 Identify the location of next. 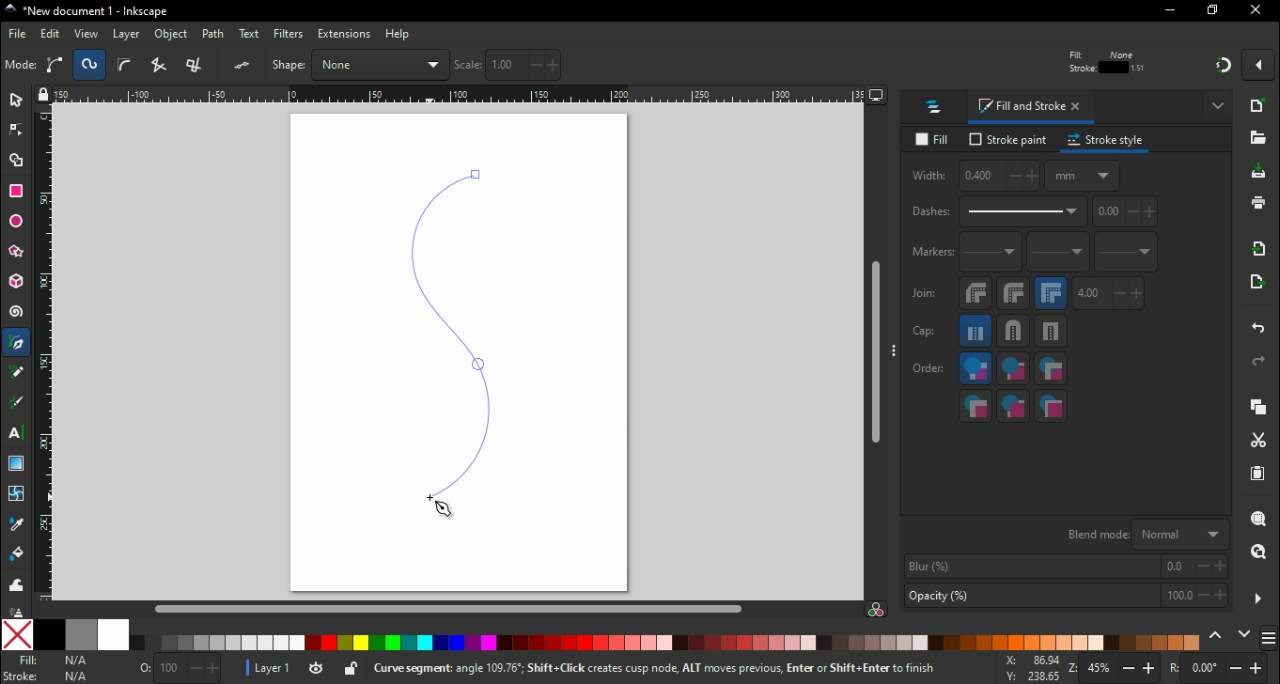
(1245, 634).